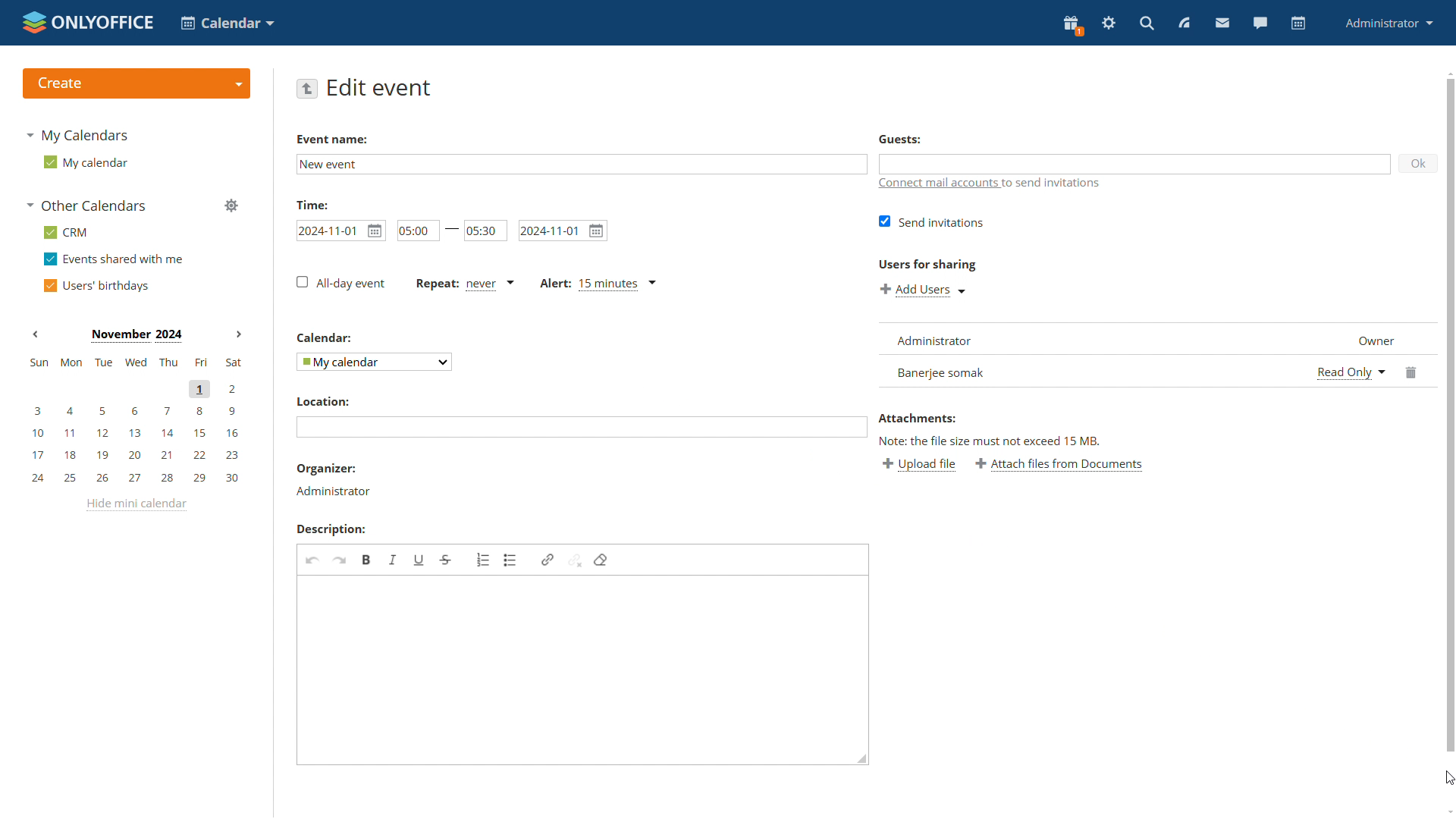 The height and width of the screenshot is (819, 1456). I want to click on Users for sharing, so click(930, 265).